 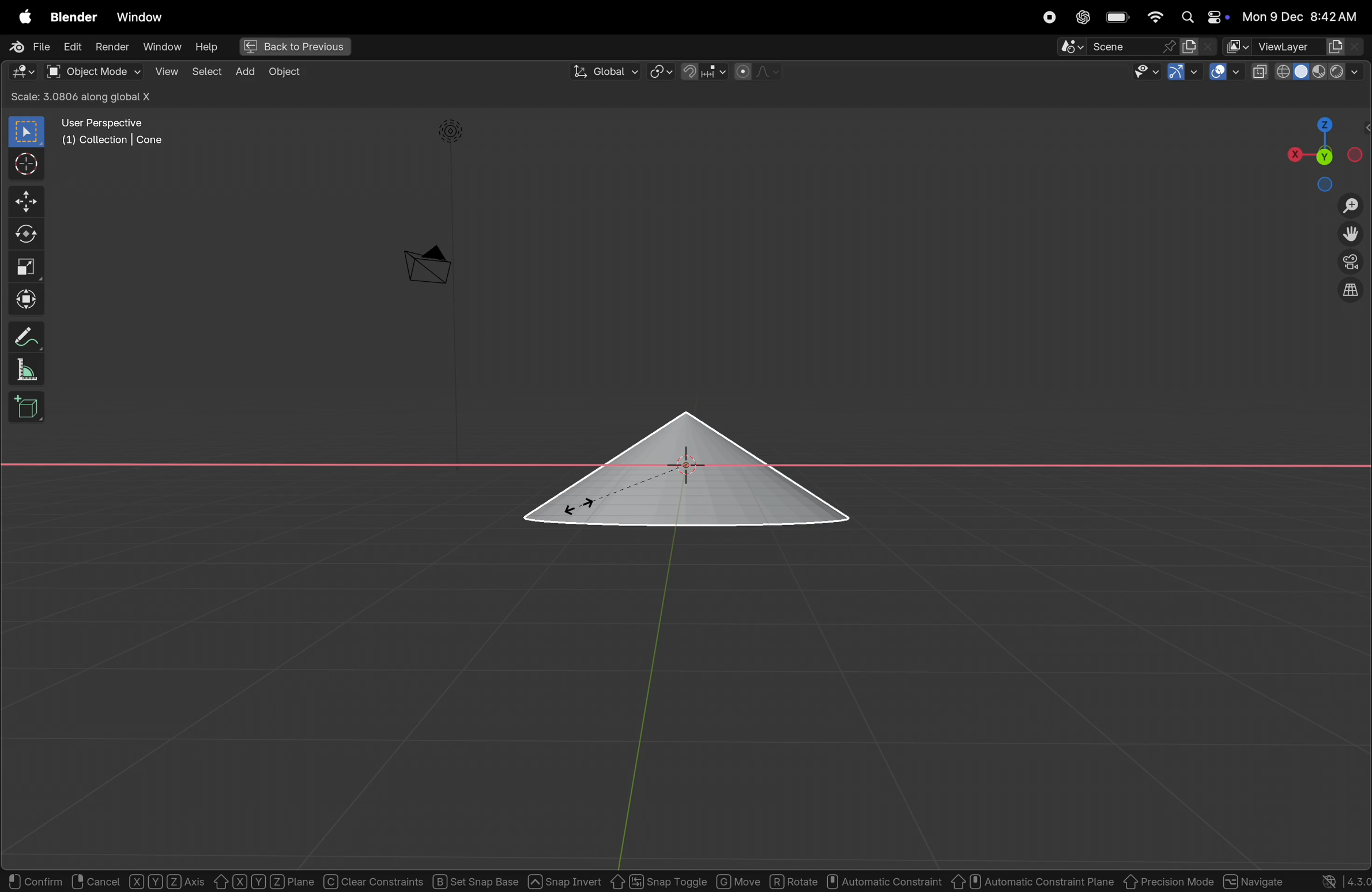 What do you see at coordinates (246, 71) in the screenshot?
I see `add` at bounding box center [246, 71].